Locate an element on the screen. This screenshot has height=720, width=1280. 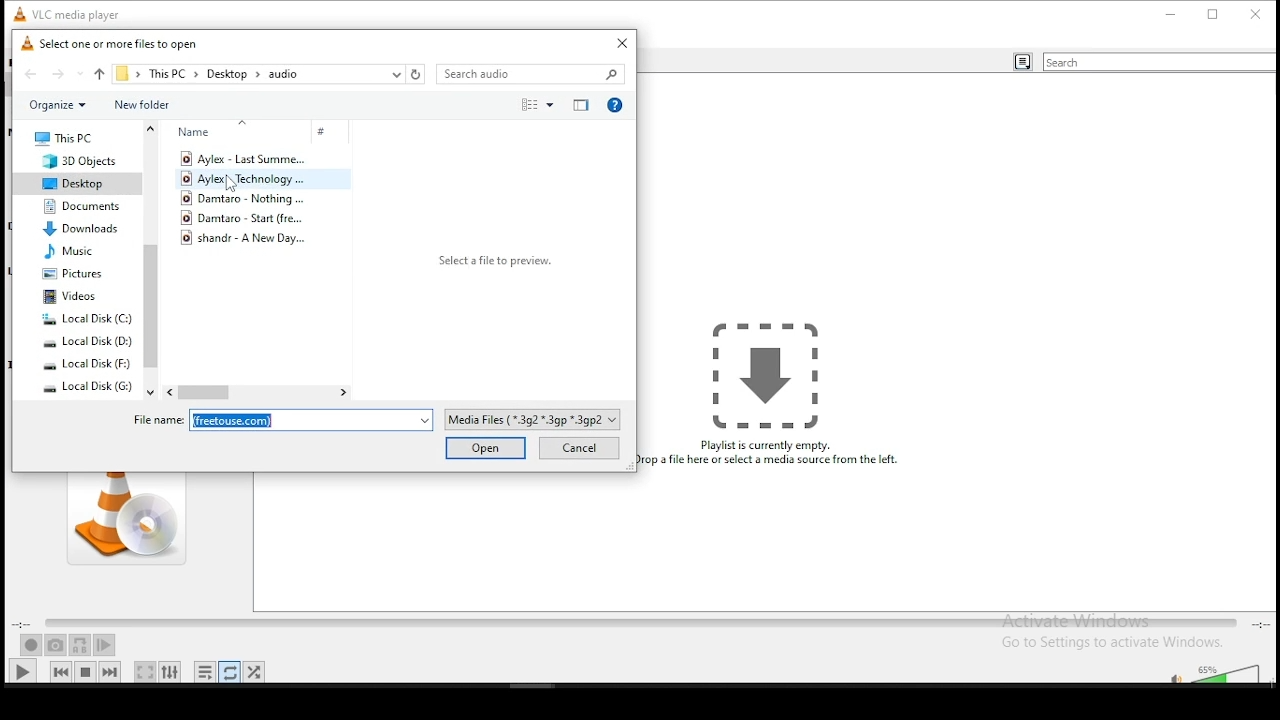
random is located at coordinates (254, 672).